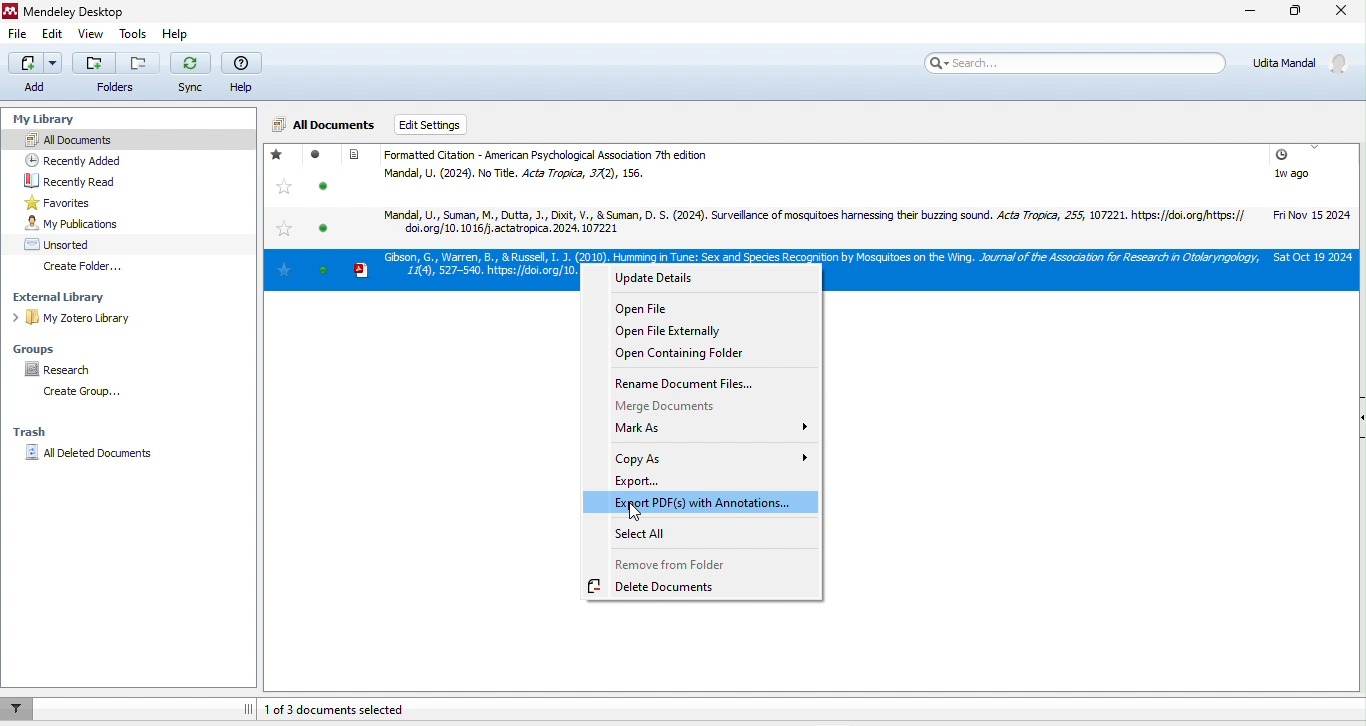  Describe the element at coordinates (19, 32) in the screenshot. I see `file` at that location.